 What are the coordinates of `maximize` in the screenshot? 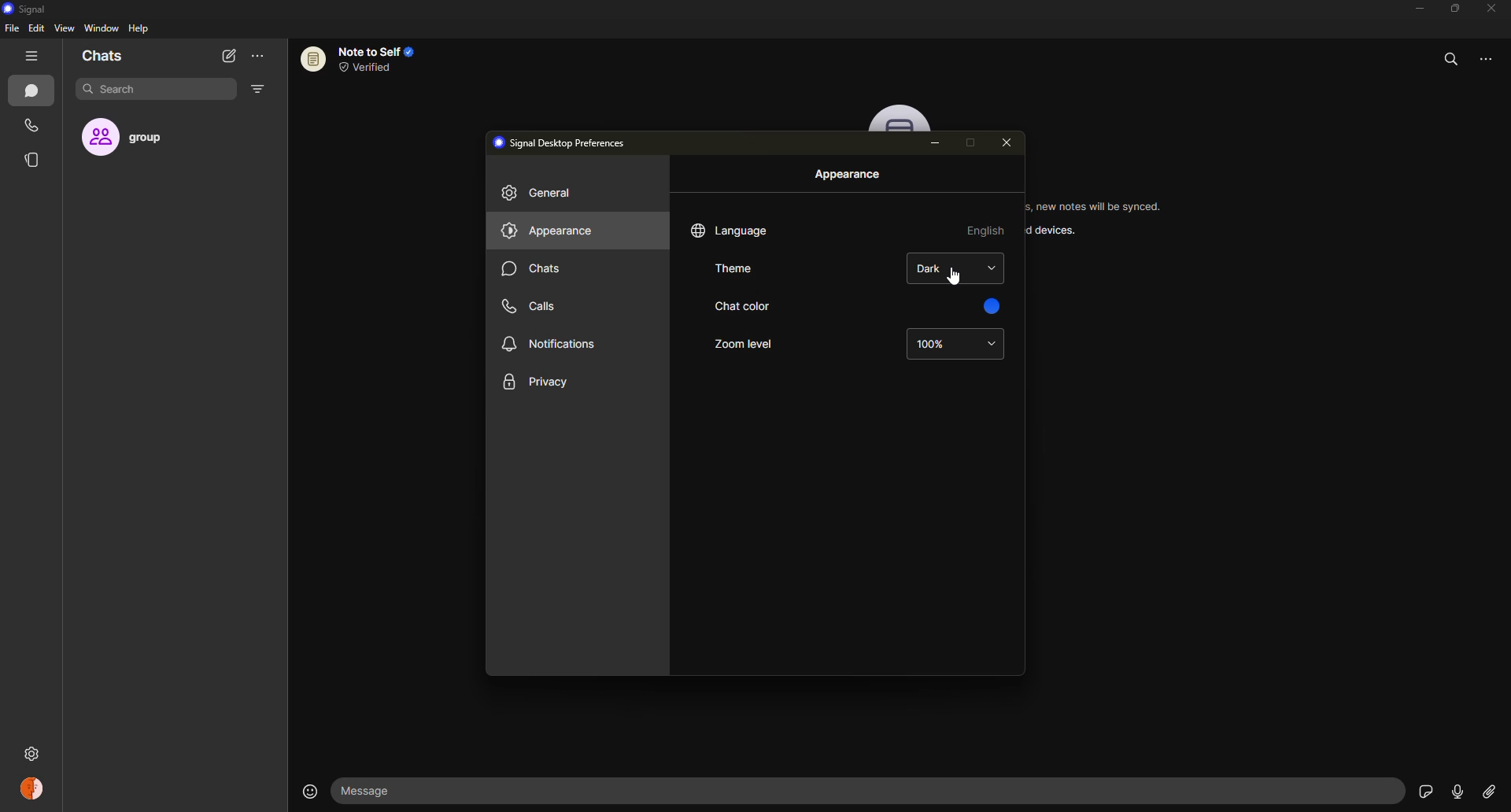 It's located at (1451, 9).